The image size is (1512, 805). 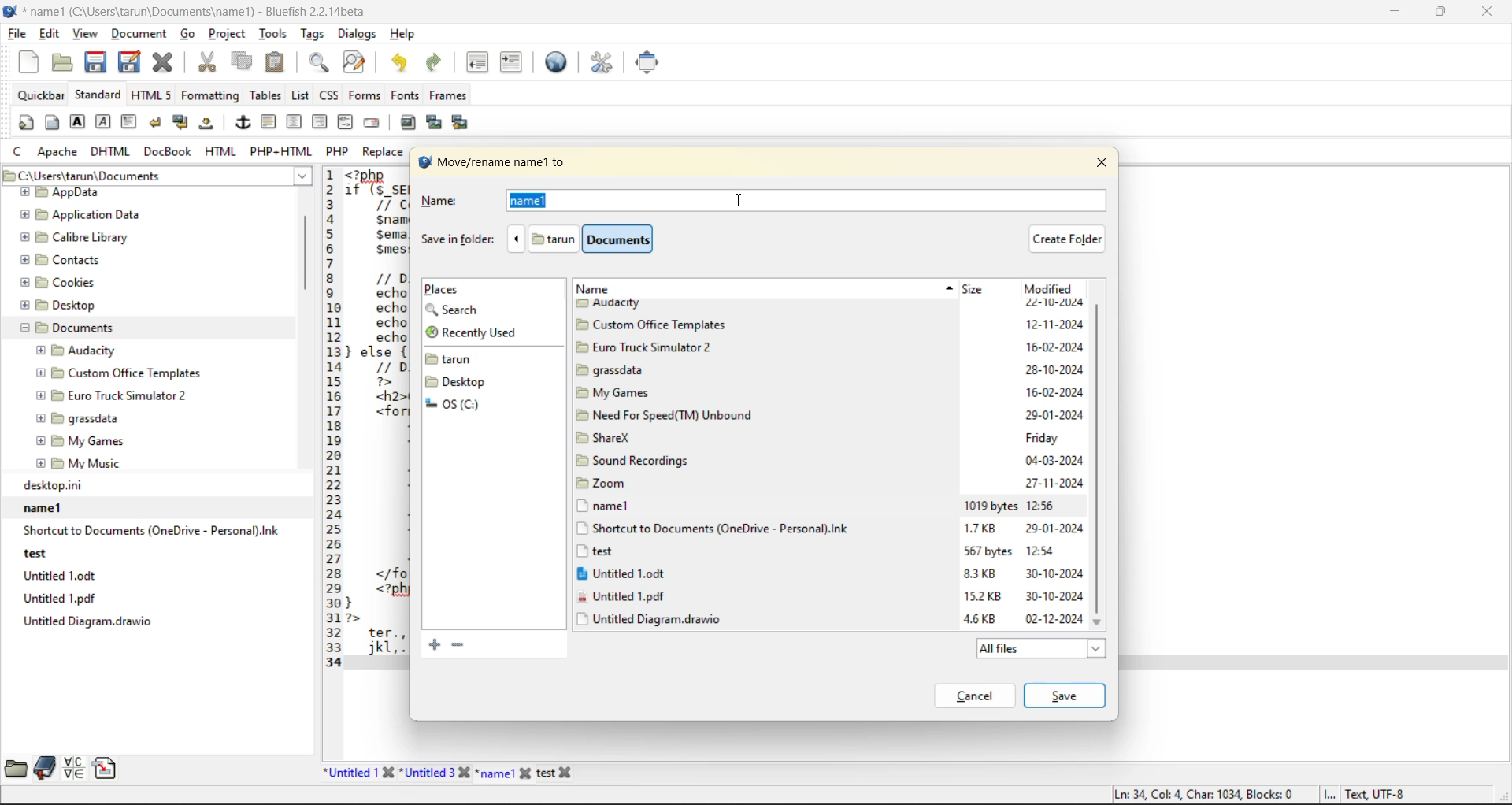 What do you see at coordinates (210, 99) in the screenshot?
I see `formatting` at bounding box center [210, 99].